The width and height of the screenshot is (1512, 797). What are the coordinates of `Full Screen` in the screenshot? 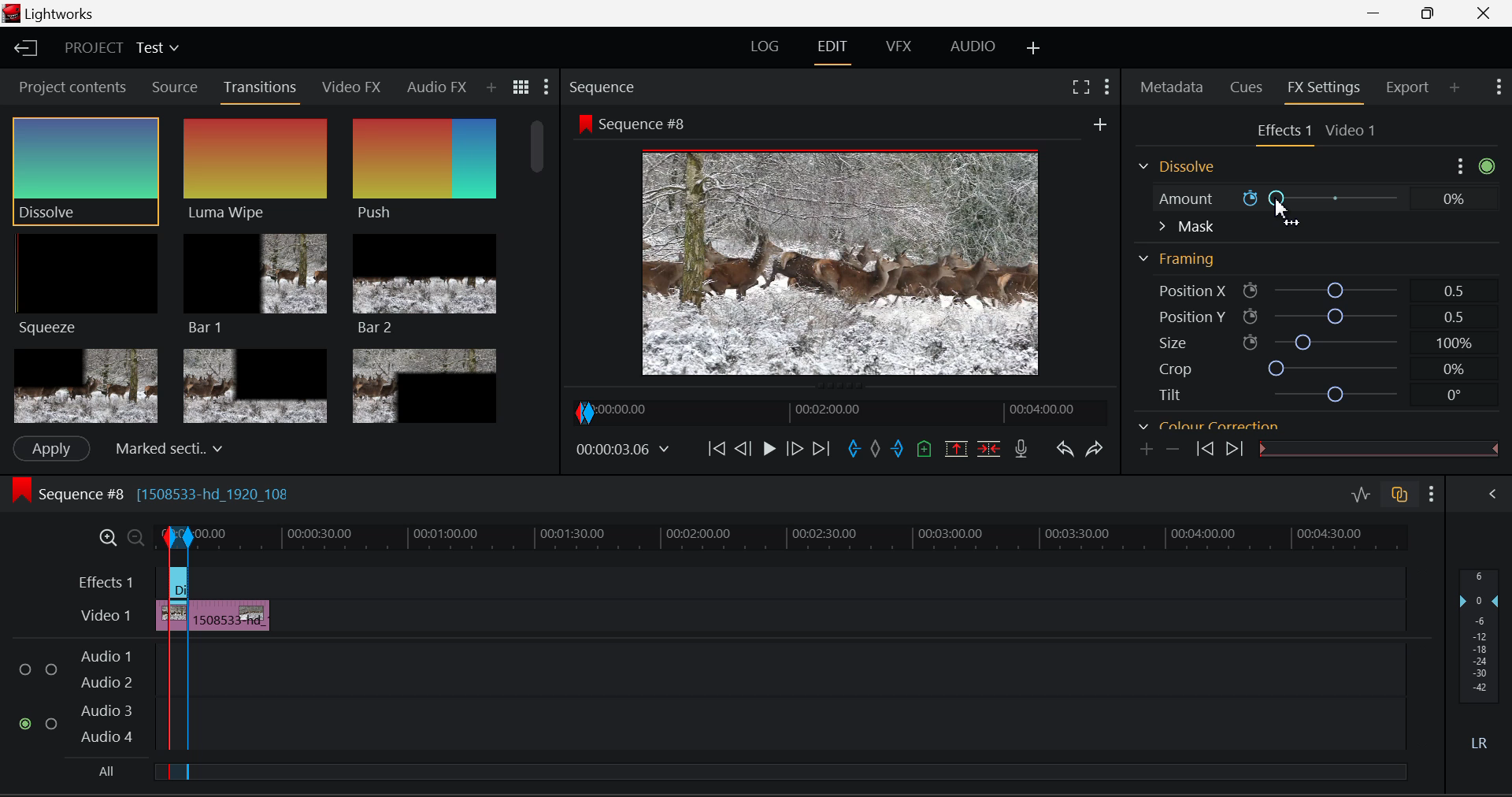 It's located at (1083, 87).